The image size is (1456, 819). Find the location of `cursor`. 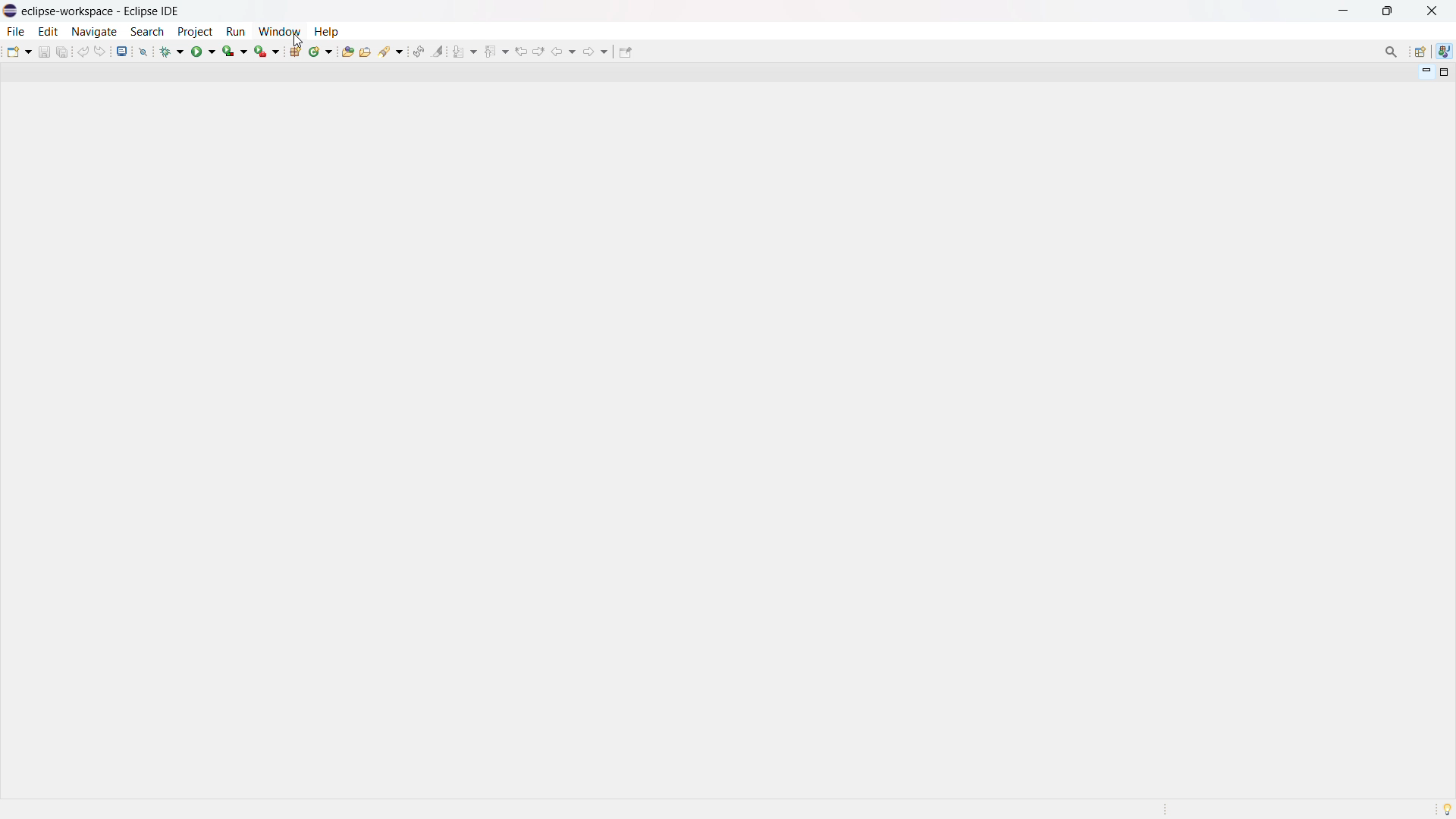

cursor is located at coordinates (298, 42).